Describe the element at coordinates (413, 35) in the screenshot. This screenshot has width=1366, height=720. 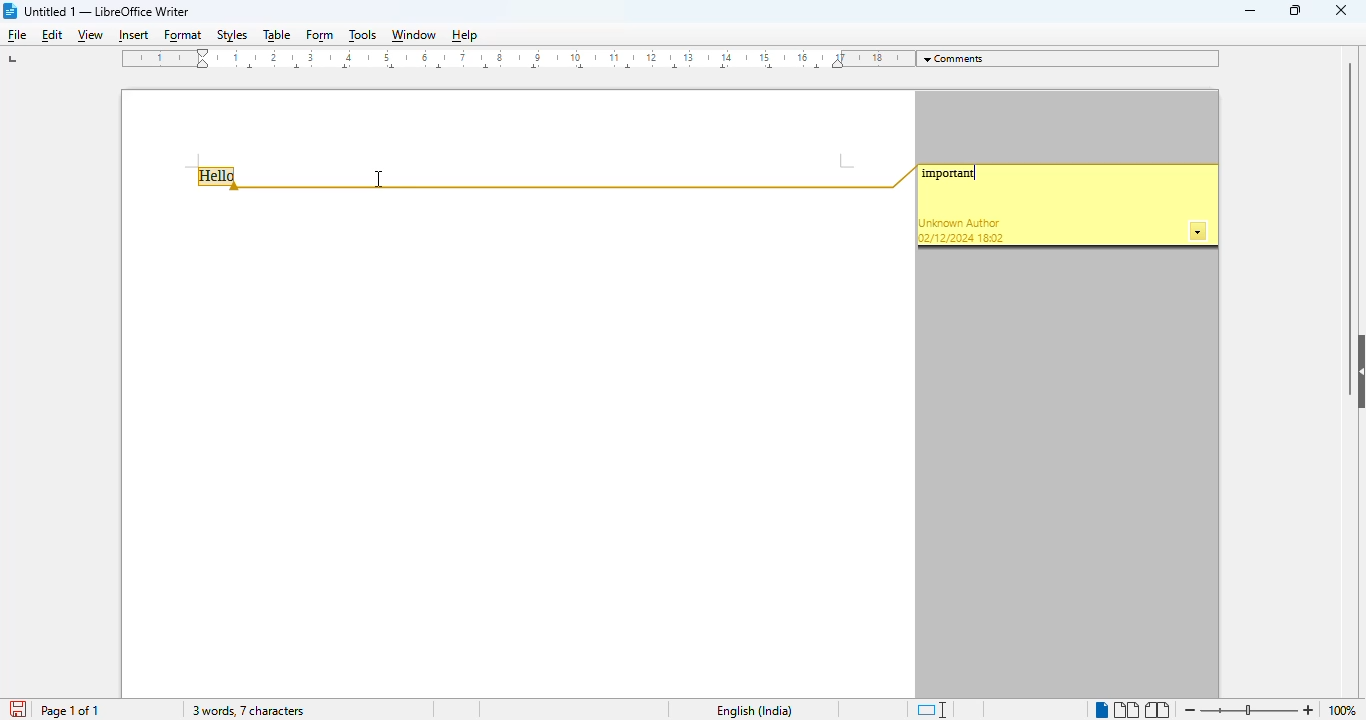
I see `window` at that location.